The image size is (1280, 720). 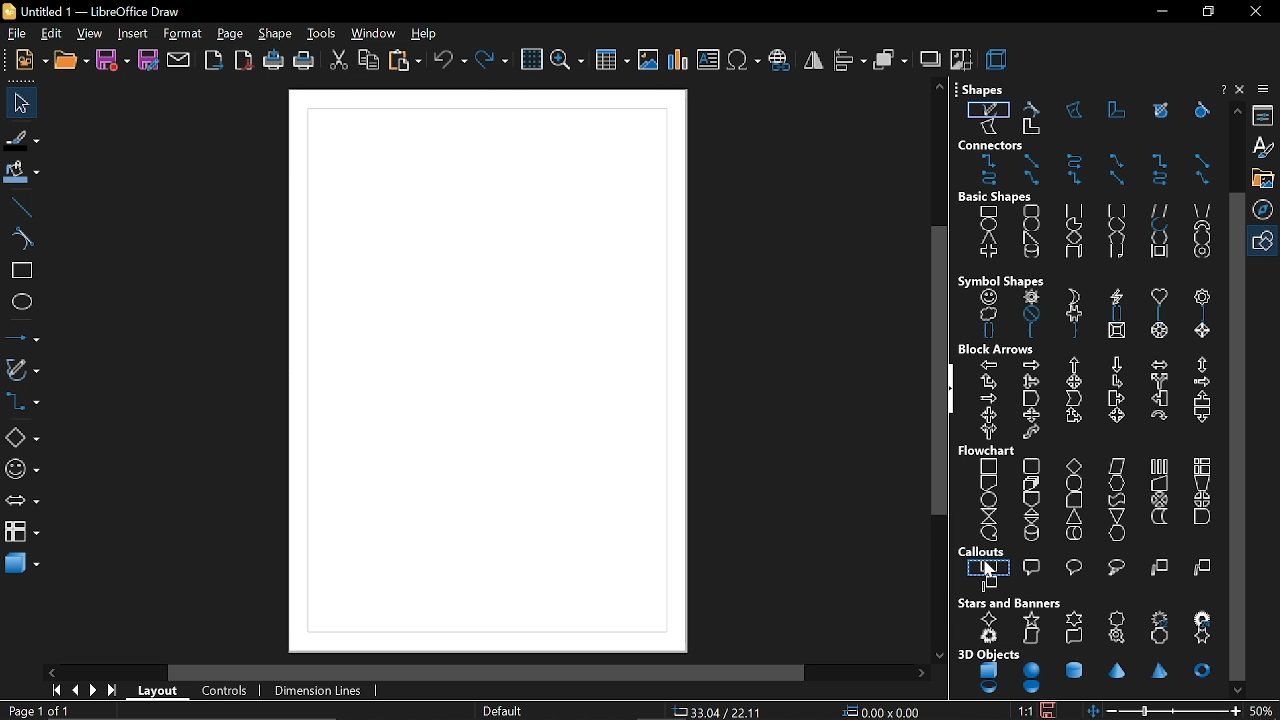 What do you see at coordinates (21, 139) in the screenshot?
I see `fill line` at bounding box center [21, 139].